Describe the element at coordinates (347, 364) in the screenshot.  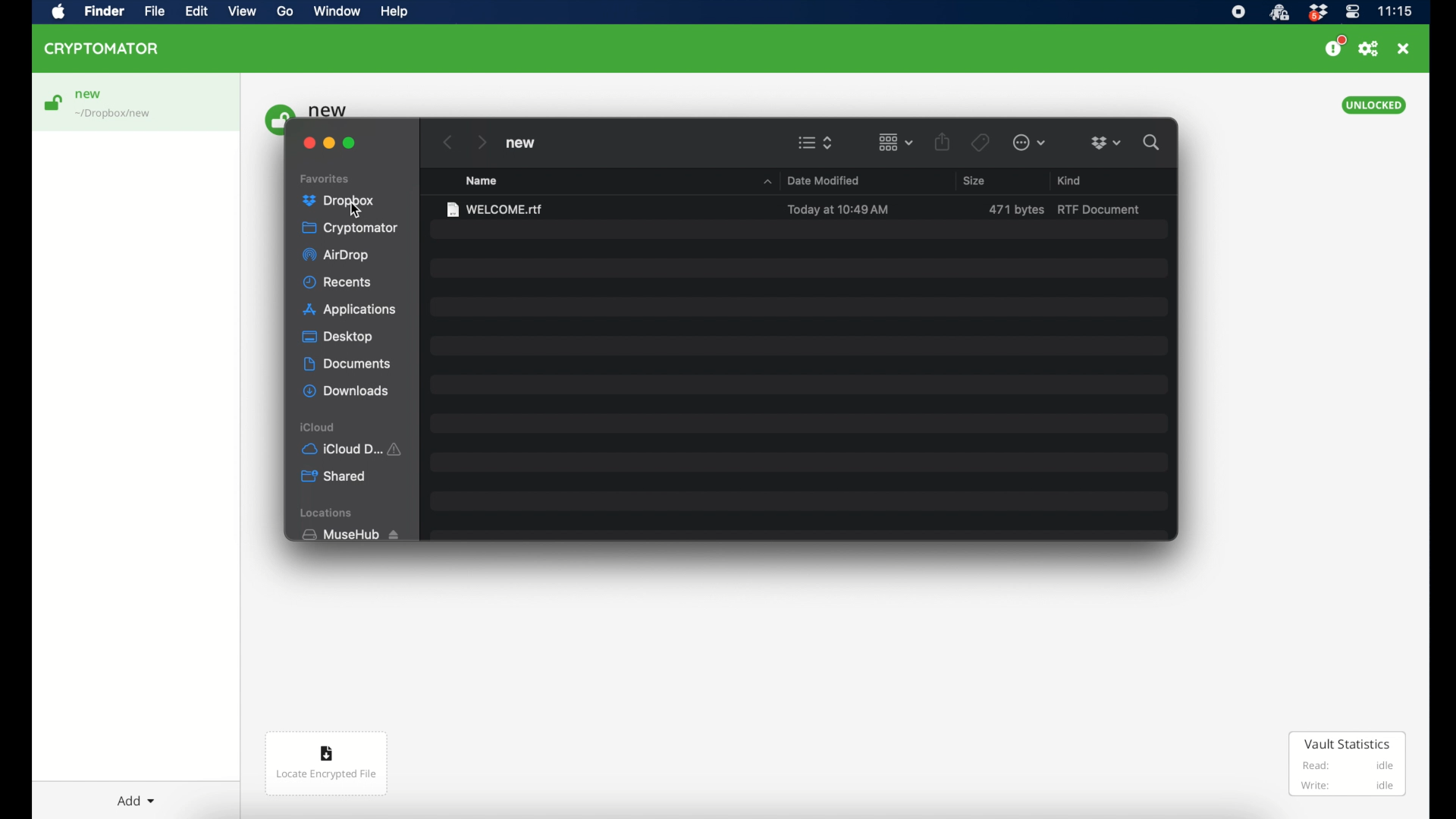
I see `documents` at that location.